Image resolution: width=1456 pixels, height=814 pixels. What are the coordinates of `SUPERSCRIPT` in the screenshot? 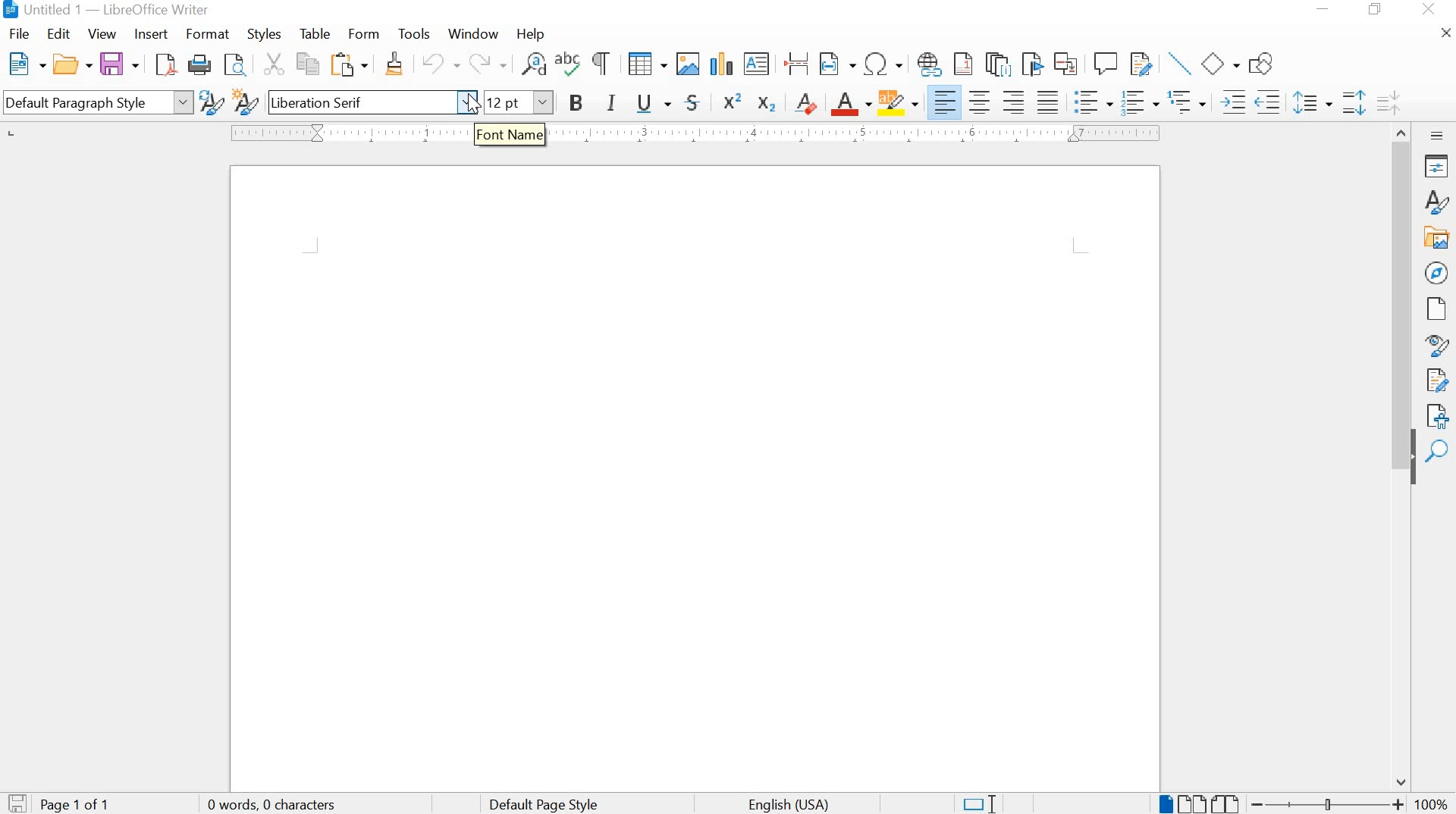 It's located at (732, 101).